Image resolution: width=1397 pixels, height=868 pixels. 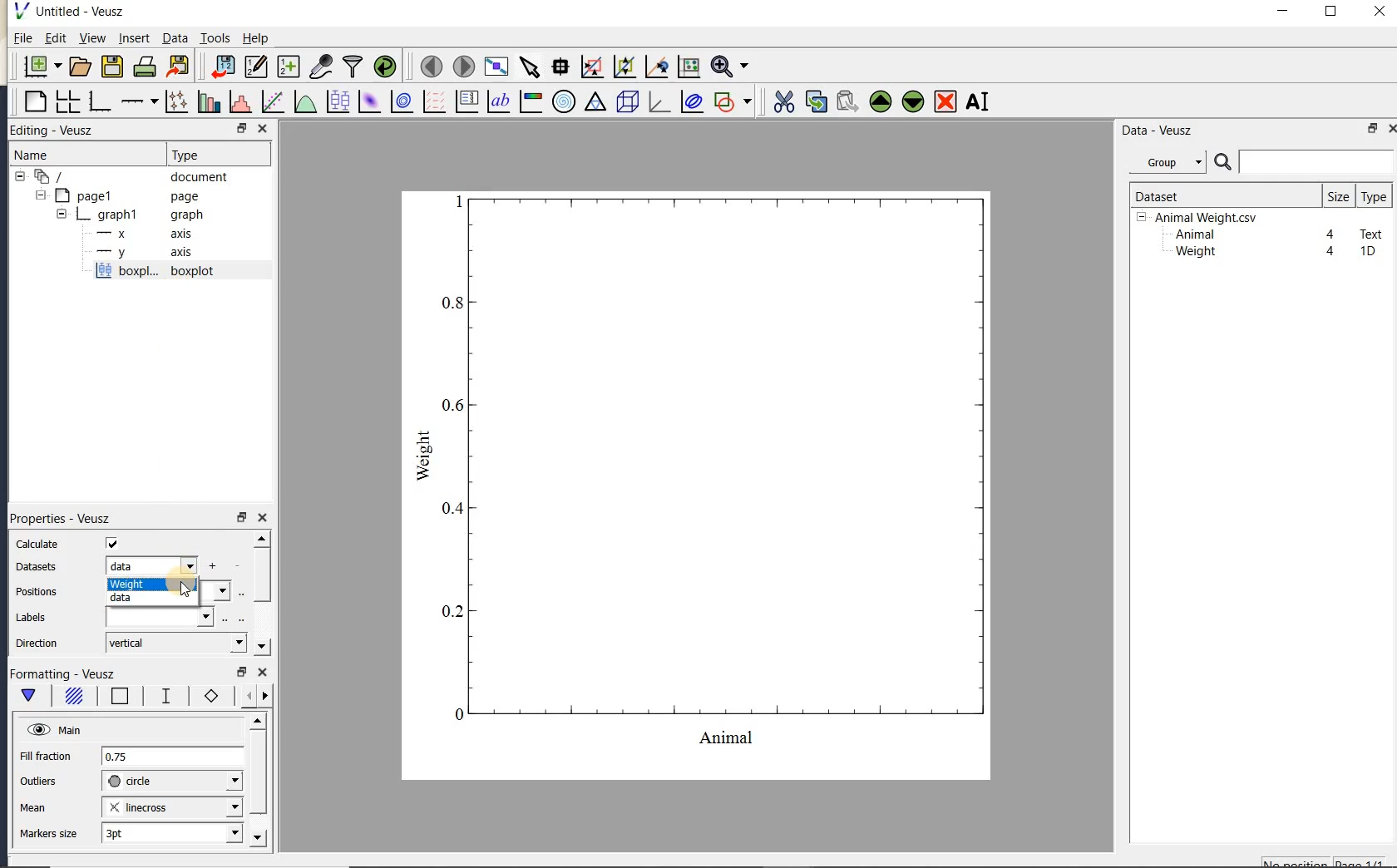 I want to click on remove the selected widget, so click(x=944, y=103).